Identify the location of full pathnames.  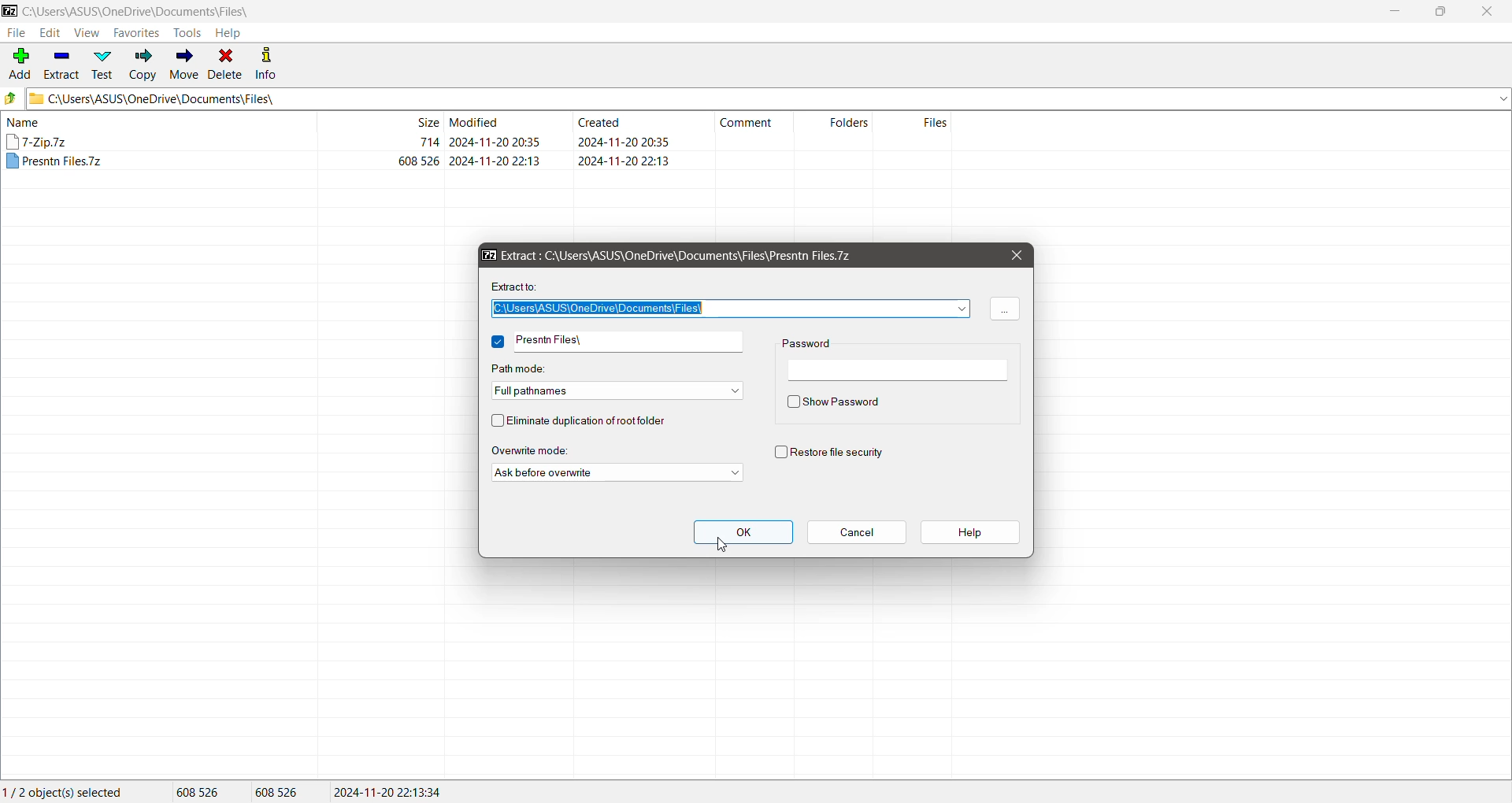
(617, 391).